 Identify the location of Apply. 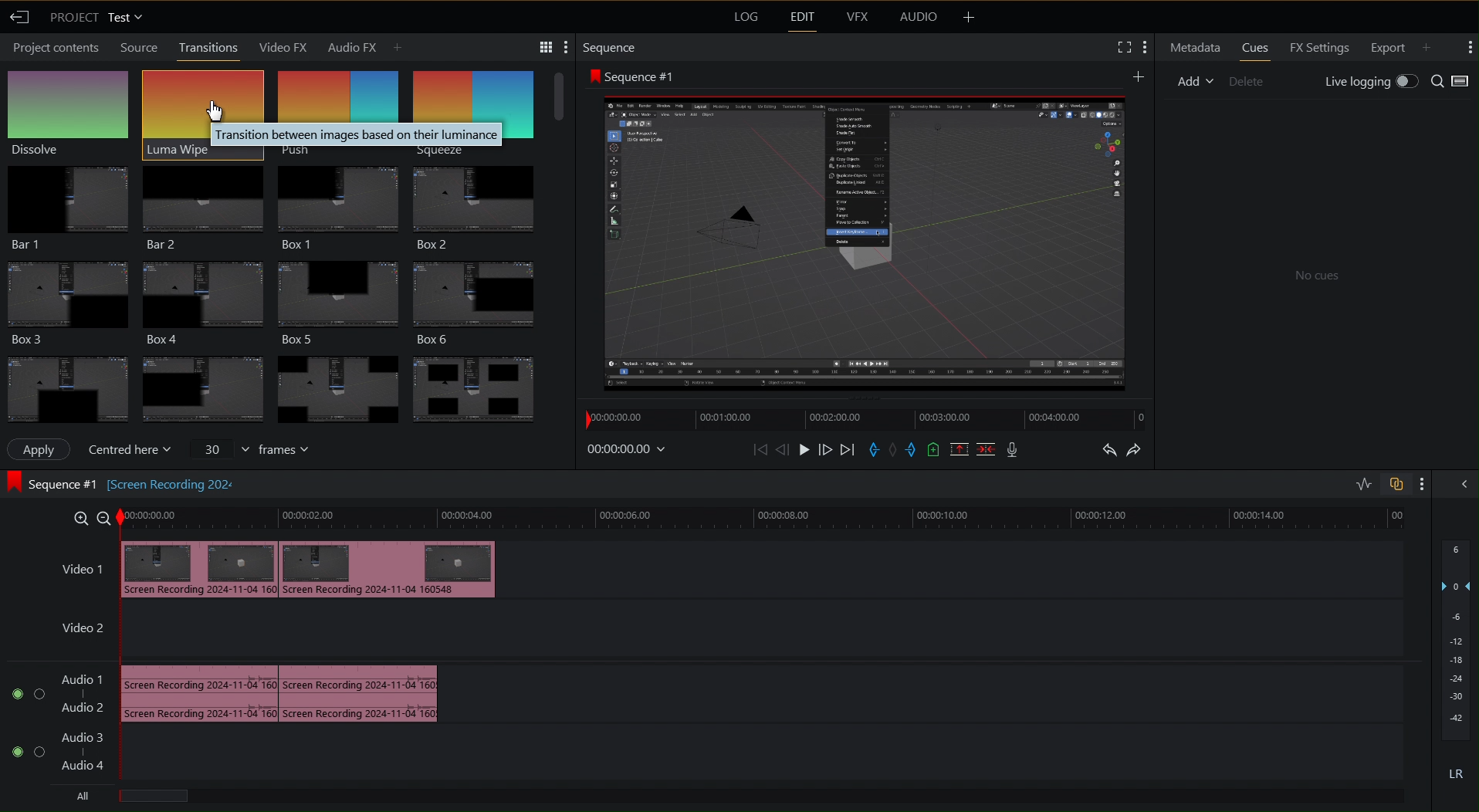
(43, 449).